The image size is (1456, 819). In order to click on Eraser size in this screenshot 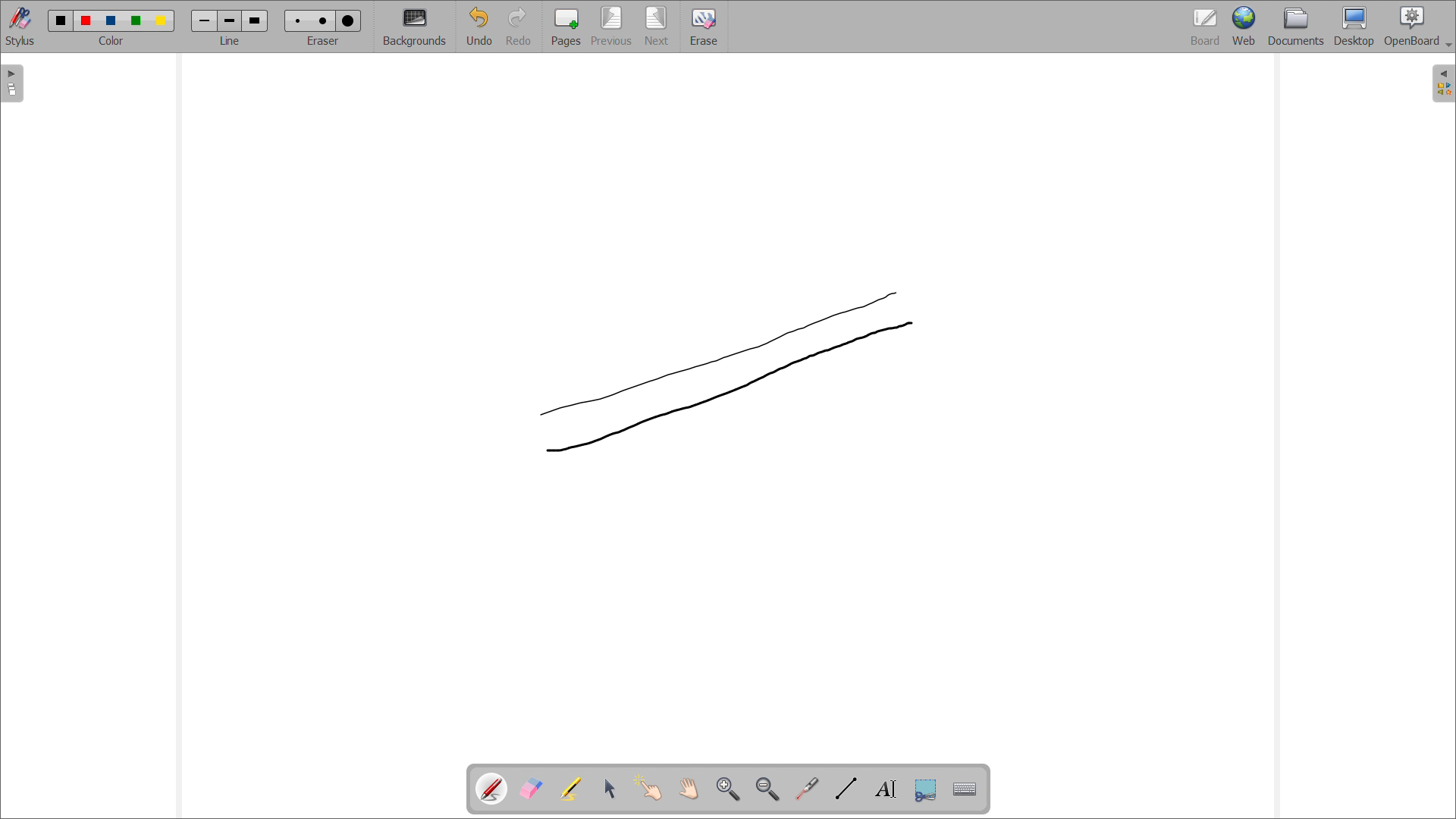, I will do `click(323, 20)`.